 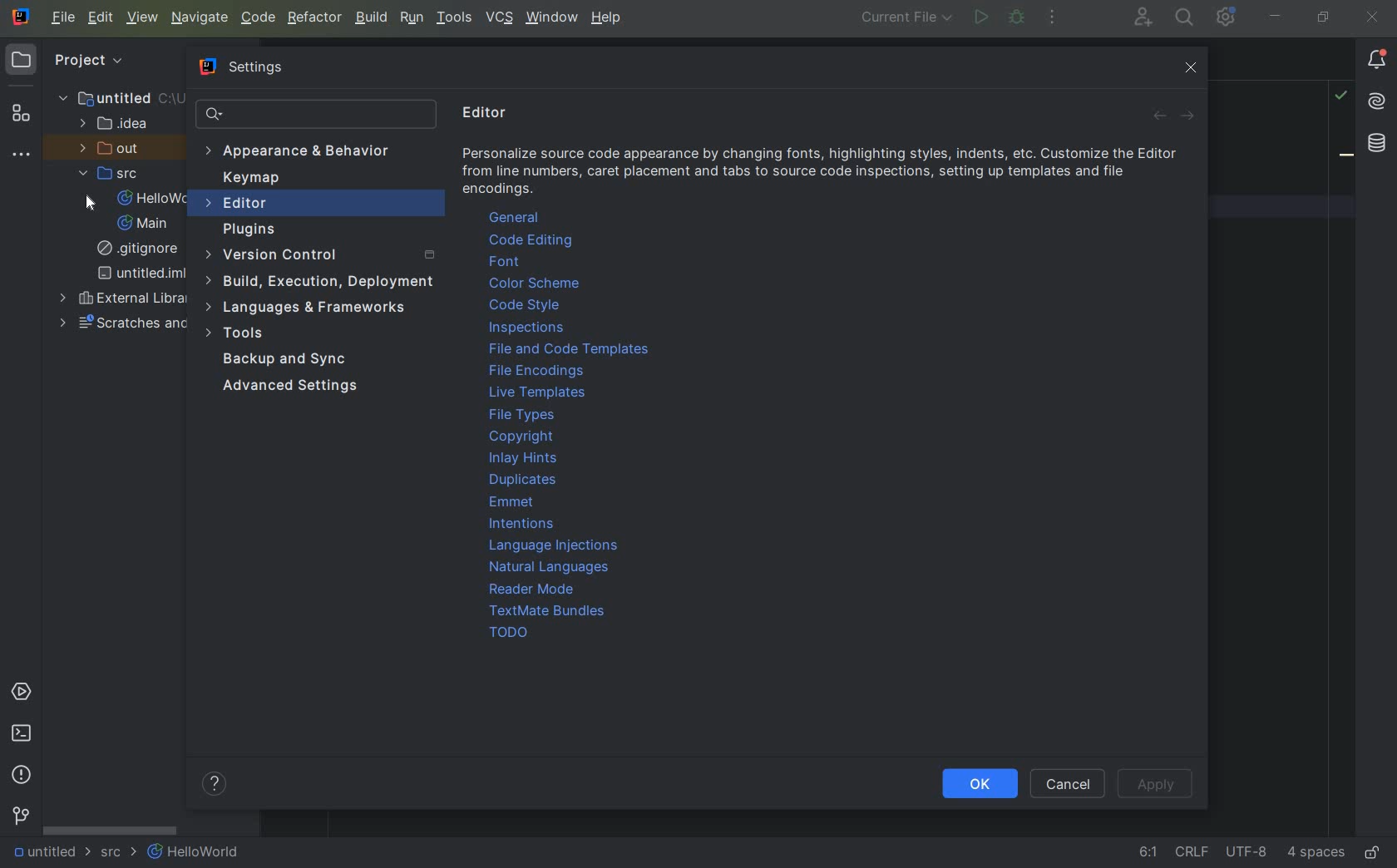 What do you see at coordinates (1185, 16) in the screenshot?
I see `search everywhere` at bounding box center [1185, 16].